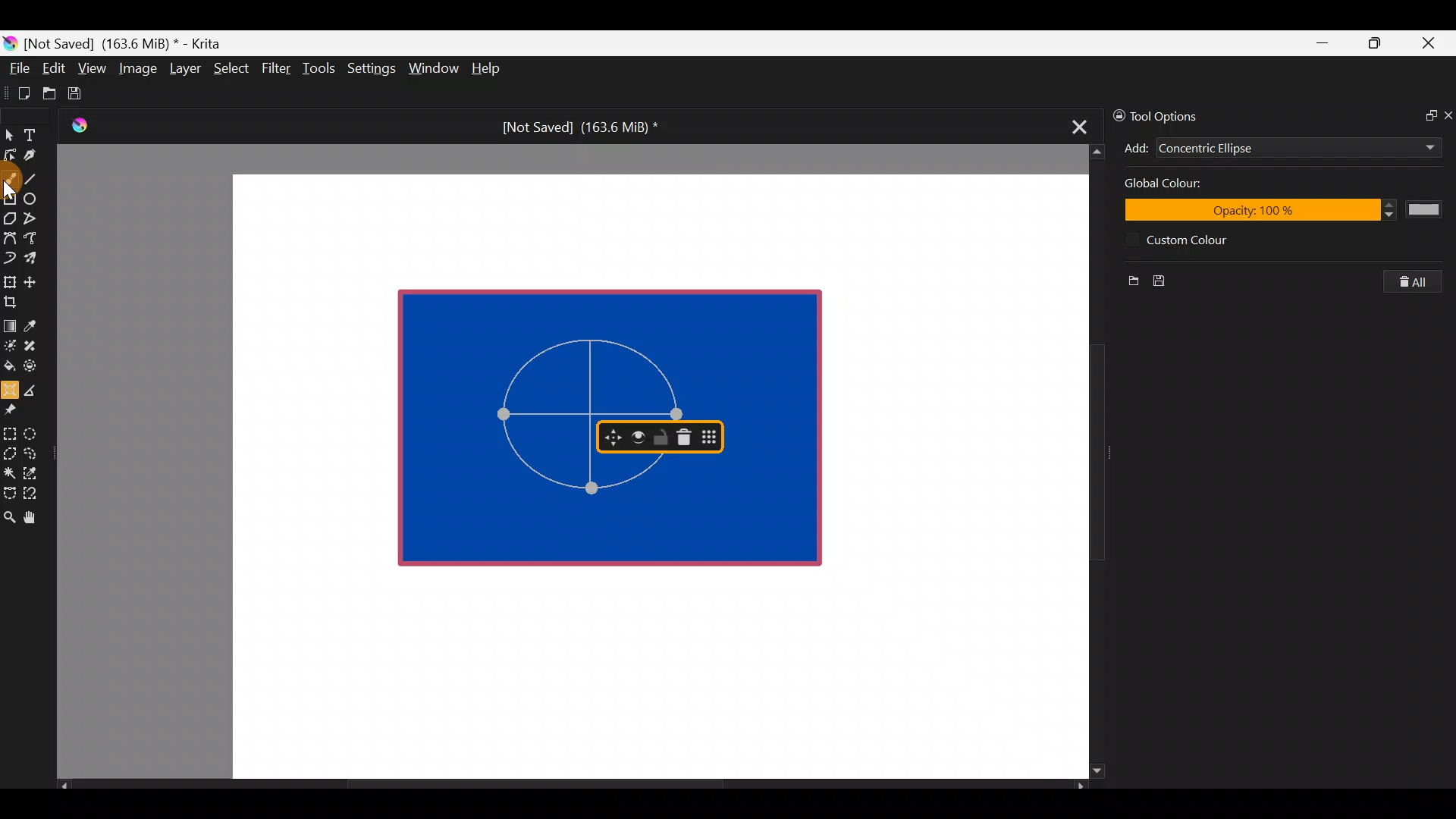  Describe the element at coordinates (13, 431) in the screenshot. I see `Rectangular selection tool` at that location.